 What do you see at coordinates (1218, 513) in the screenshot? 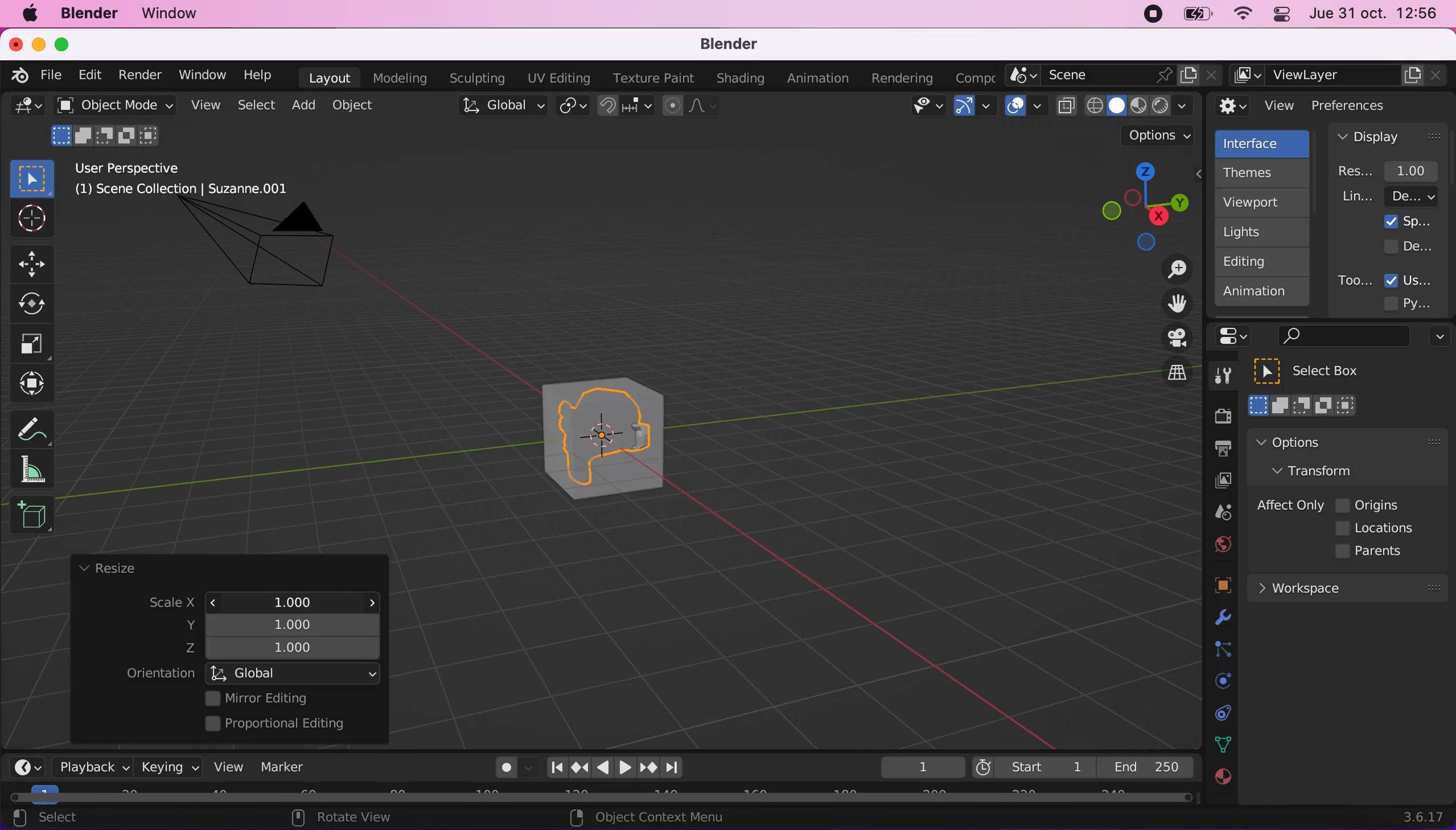
I see `scene` at bounding box center [1218, 513].